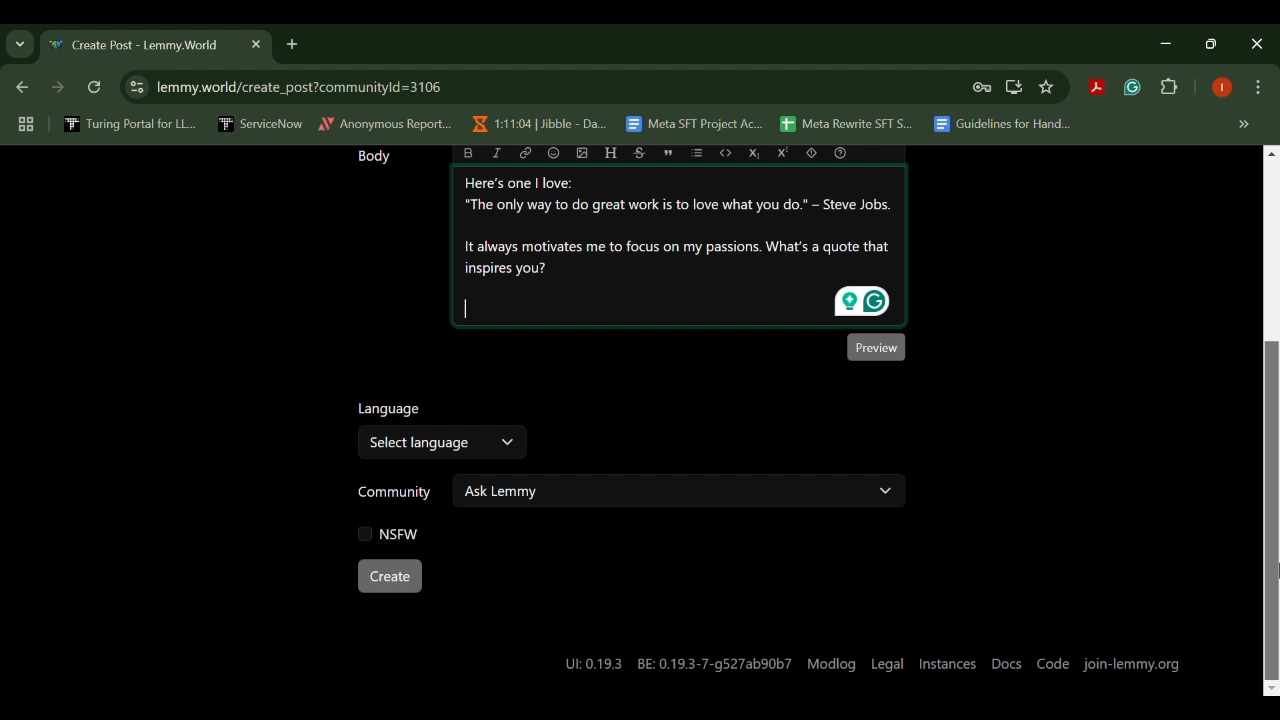  What do you see at coordinates (254, 44) in the screenshot?
I see `Close Tab` at bounding box center [254, 44].